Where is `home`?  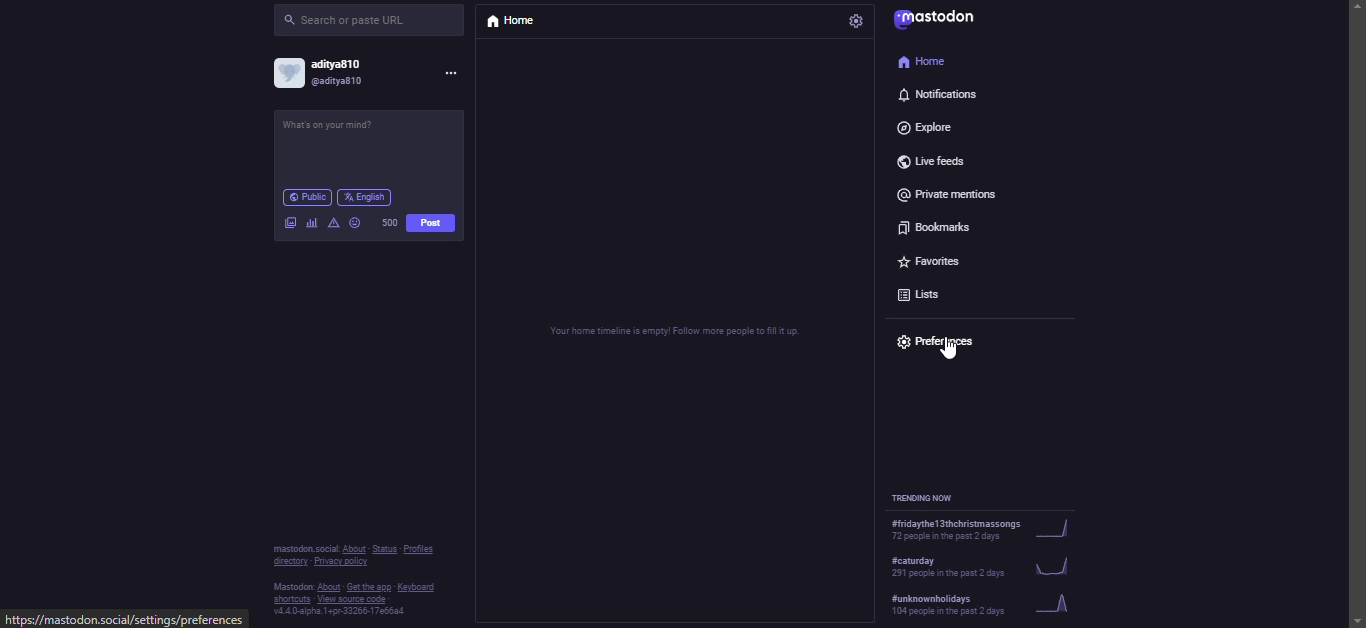 home is located at coordinates (923, 62).